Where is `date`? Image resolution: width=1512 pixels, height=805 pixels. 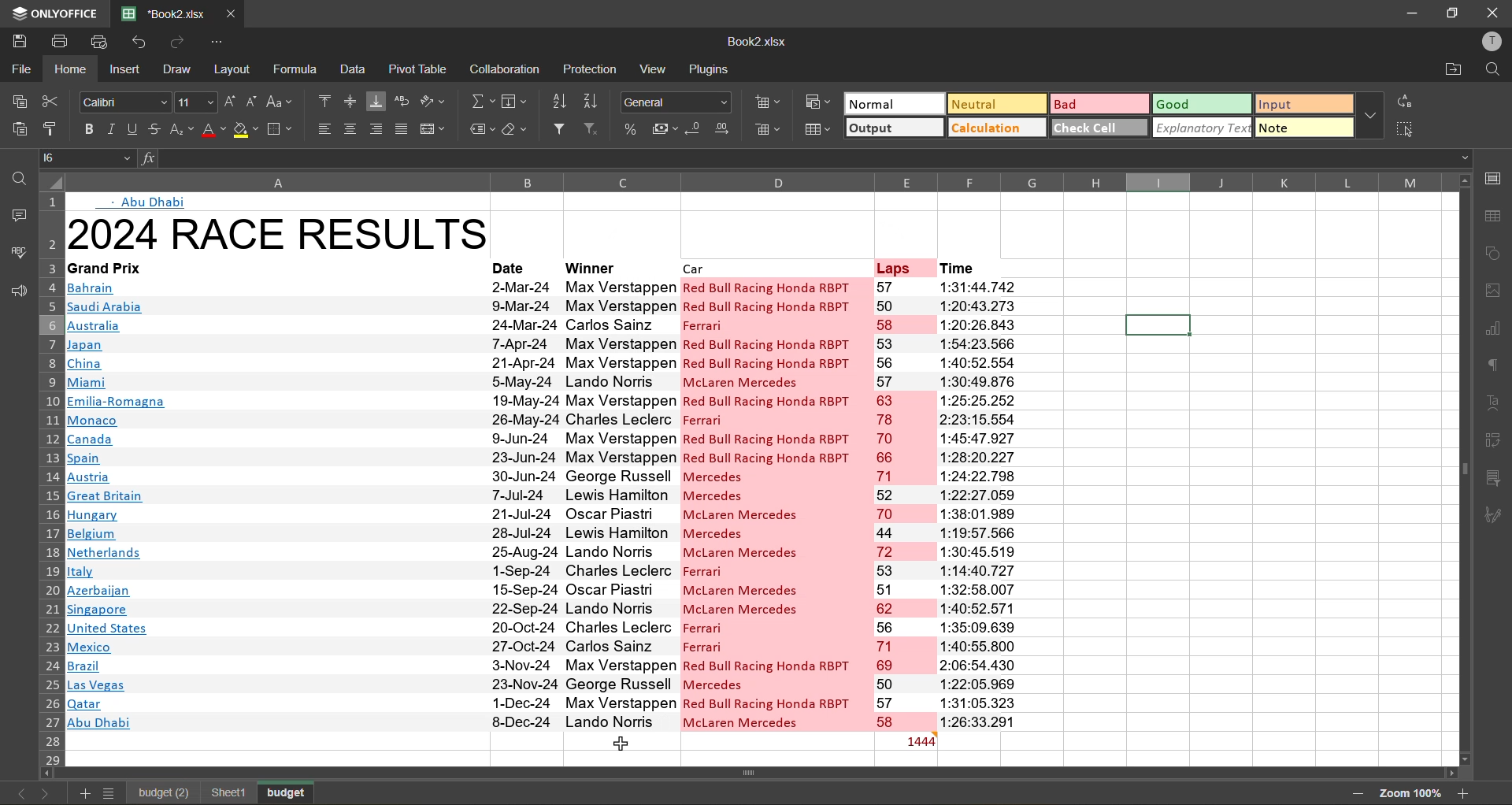
date is located at coordinates (513, 266).